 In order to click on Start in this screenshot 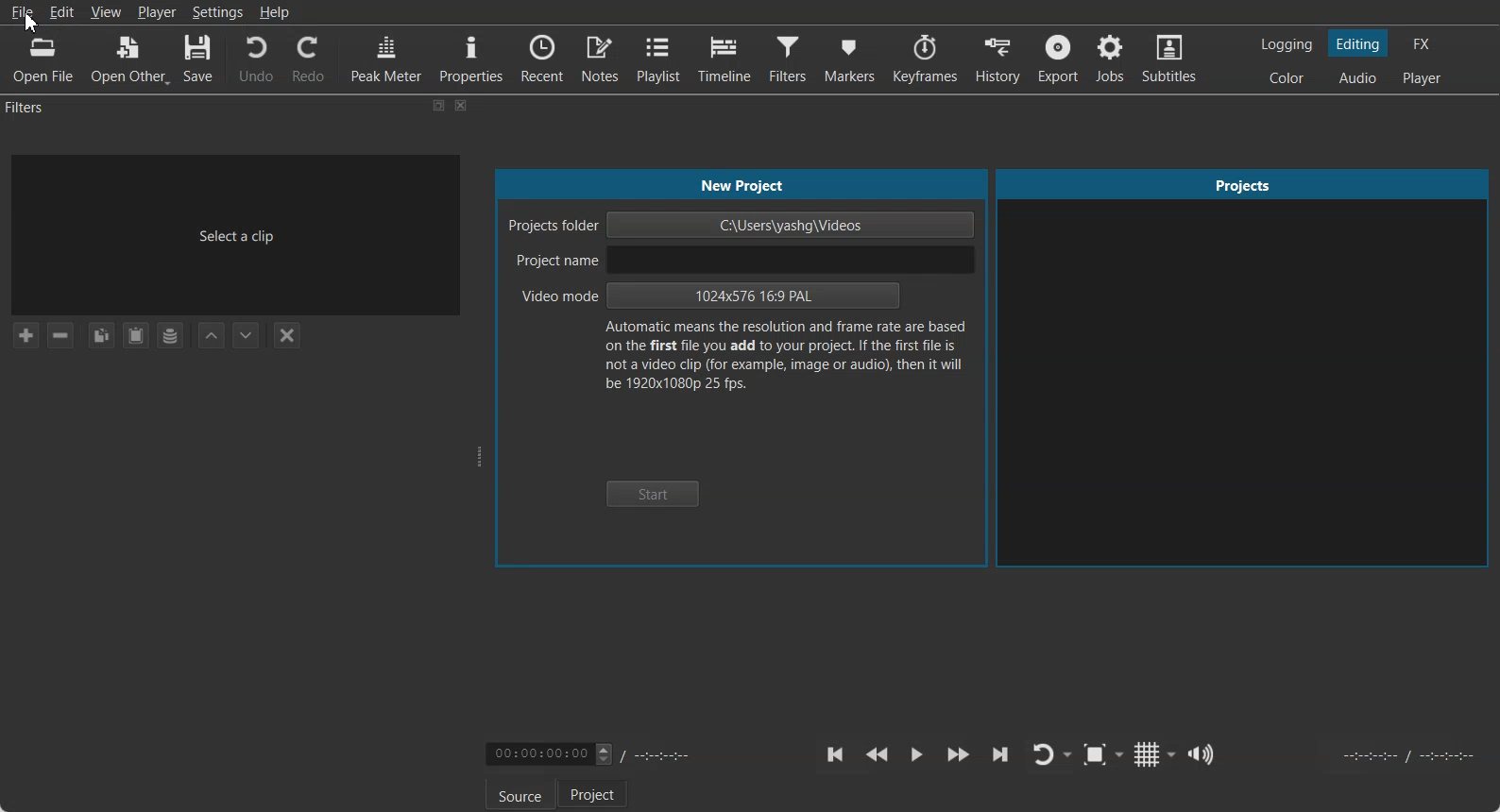, I will do `click(653, 495)`.